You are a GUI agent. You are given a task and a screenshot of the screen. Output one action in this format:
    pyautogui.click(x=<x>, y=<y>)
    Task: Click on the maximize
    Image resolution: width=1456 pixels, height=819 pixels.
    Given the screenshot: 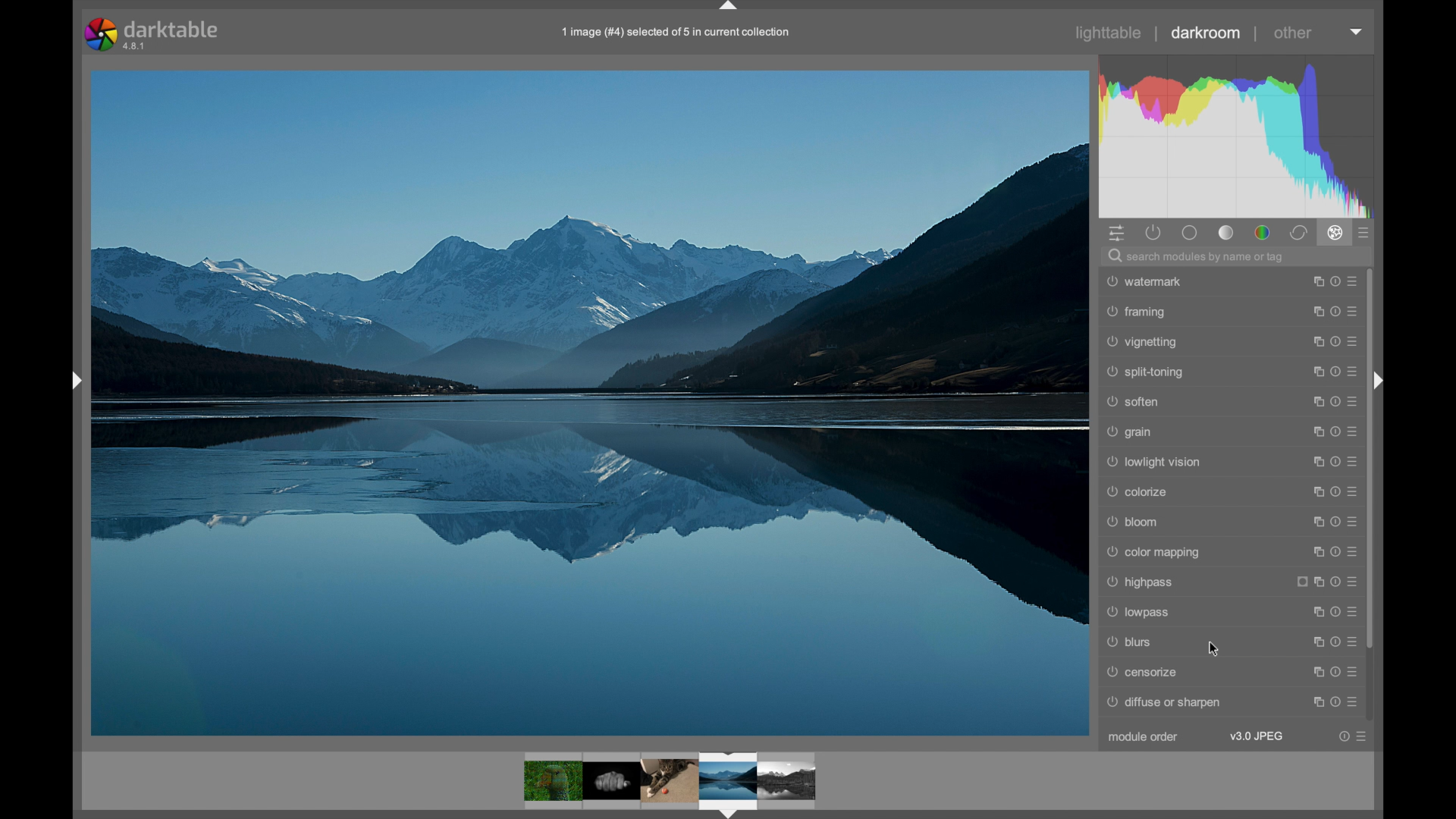 What is the action you would take?
    pyautogui.click(x=1316, y=340)
    